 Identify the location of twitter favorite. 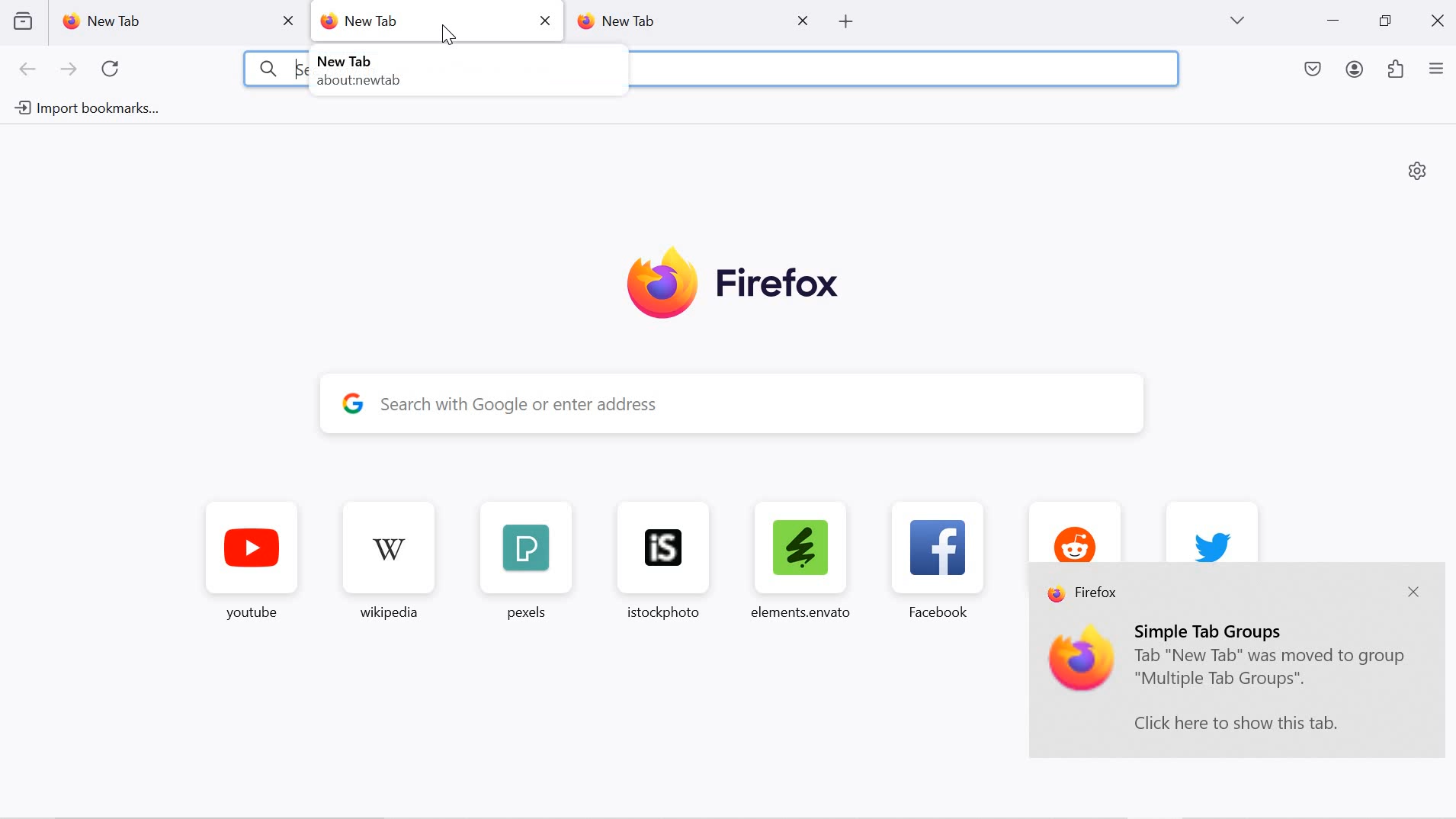
(1212, 531).